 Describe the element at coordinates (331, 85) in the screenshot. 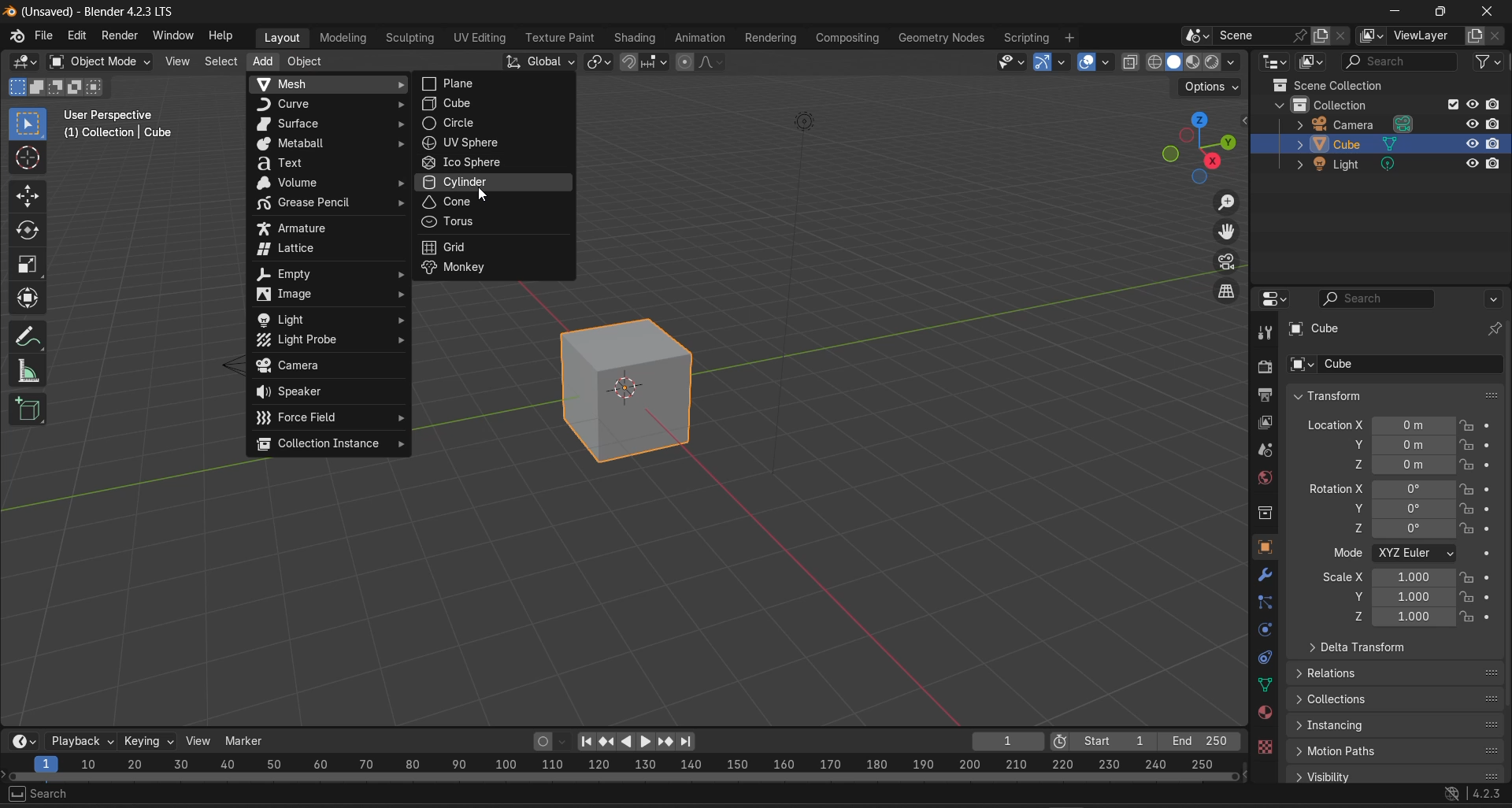

I see `mesh` at that location.